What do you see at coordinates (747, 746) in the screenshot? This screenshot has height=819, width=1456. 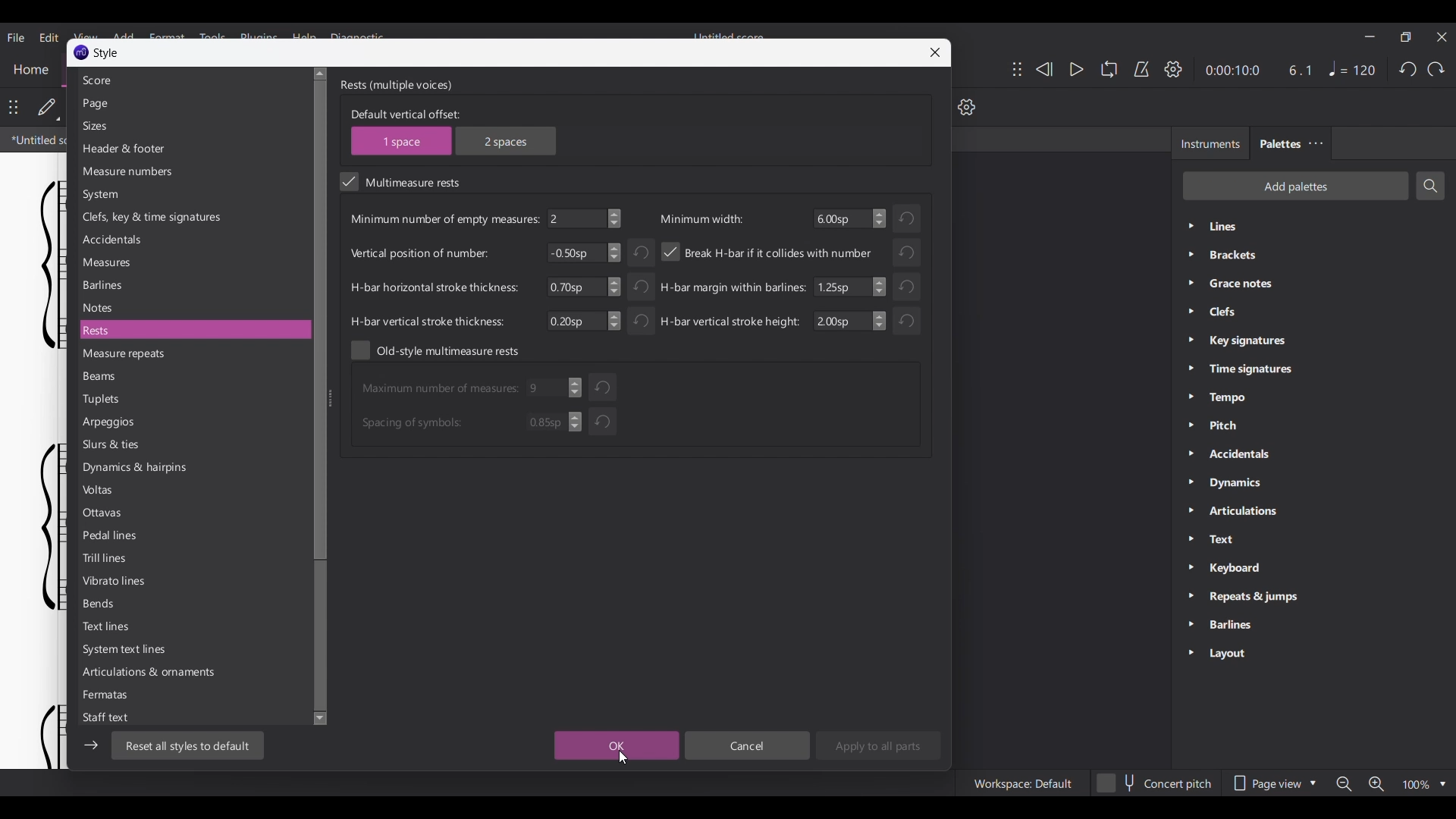 I see `Cancel inputs made` at bounding box center [747, 746].